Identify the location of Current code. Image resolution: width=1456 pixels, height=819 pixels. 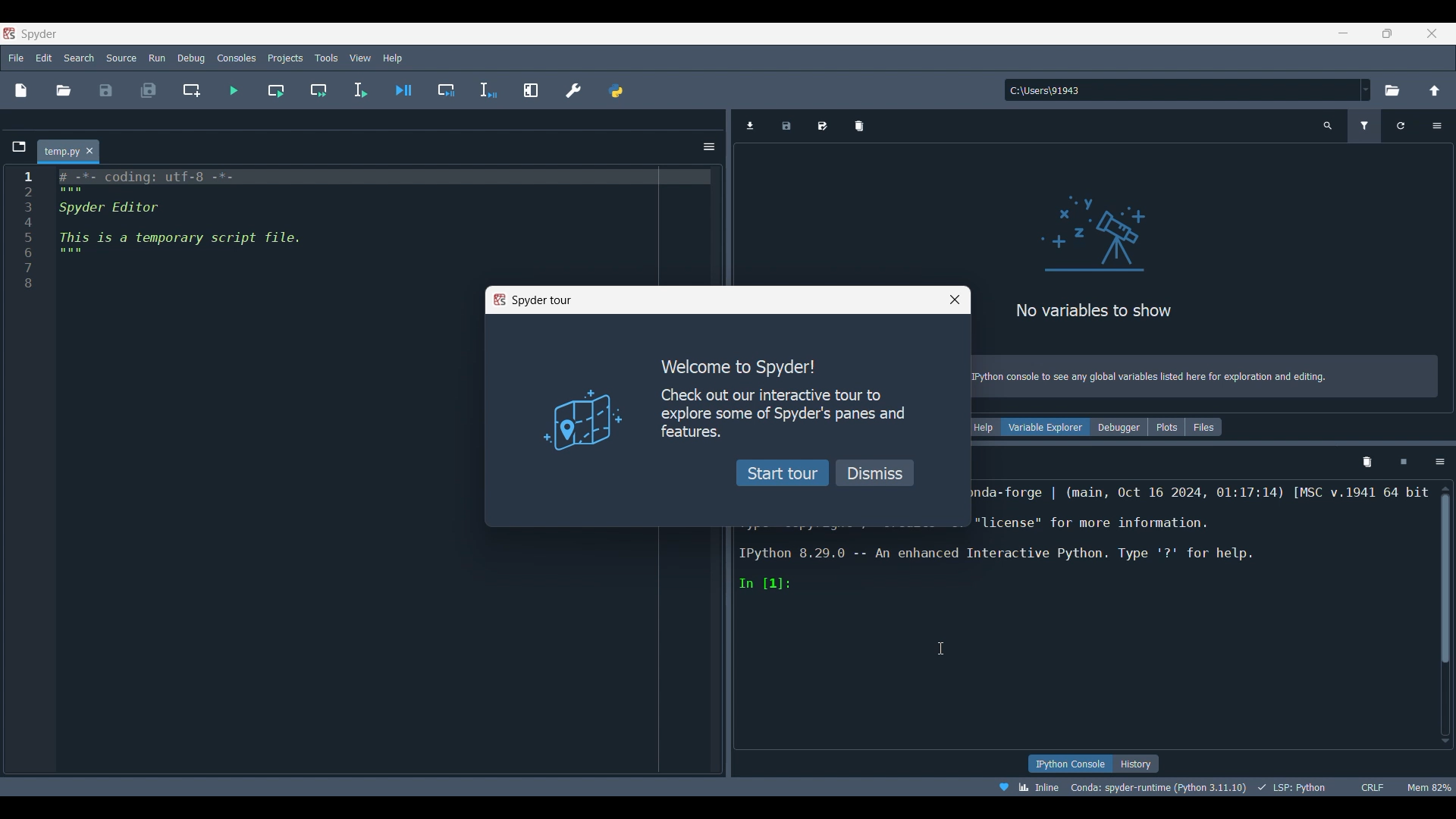
(372, 224).